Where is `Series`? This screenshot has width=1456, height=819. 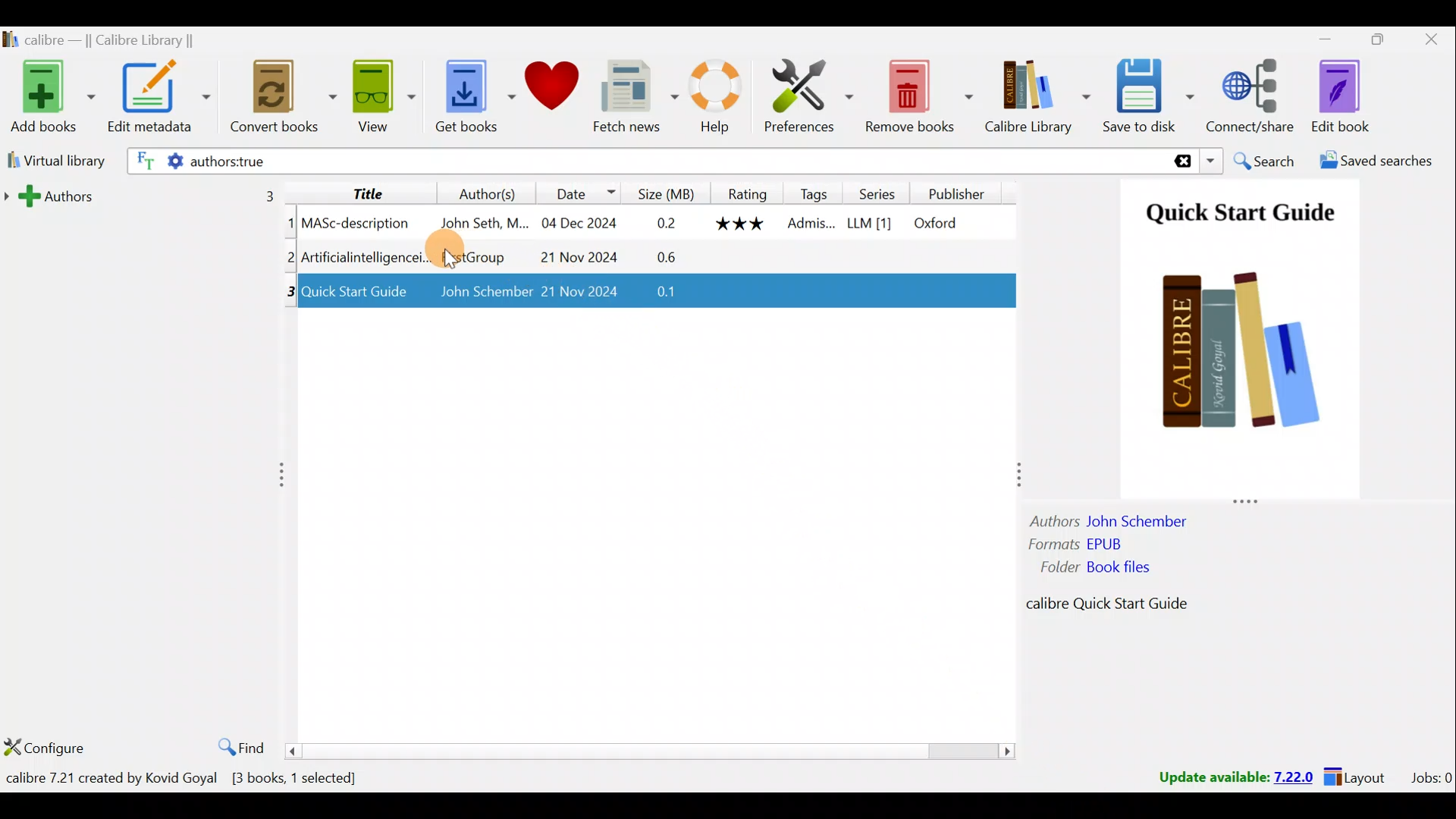
Series is located at coordinates (884, 193).